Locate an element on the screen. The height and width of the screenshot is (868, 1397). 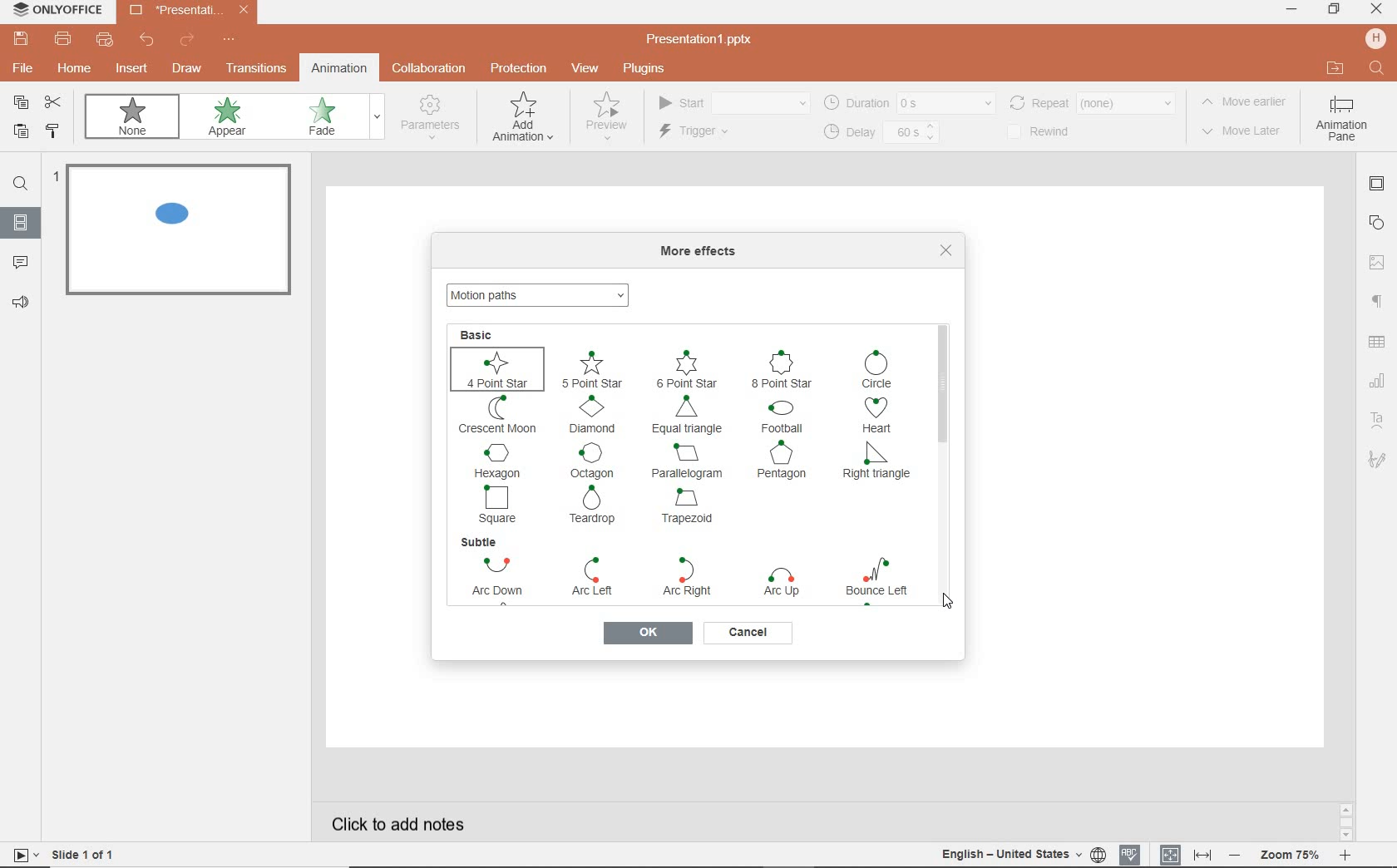
slide 1 of 1 is located at coordinates (87, 857).